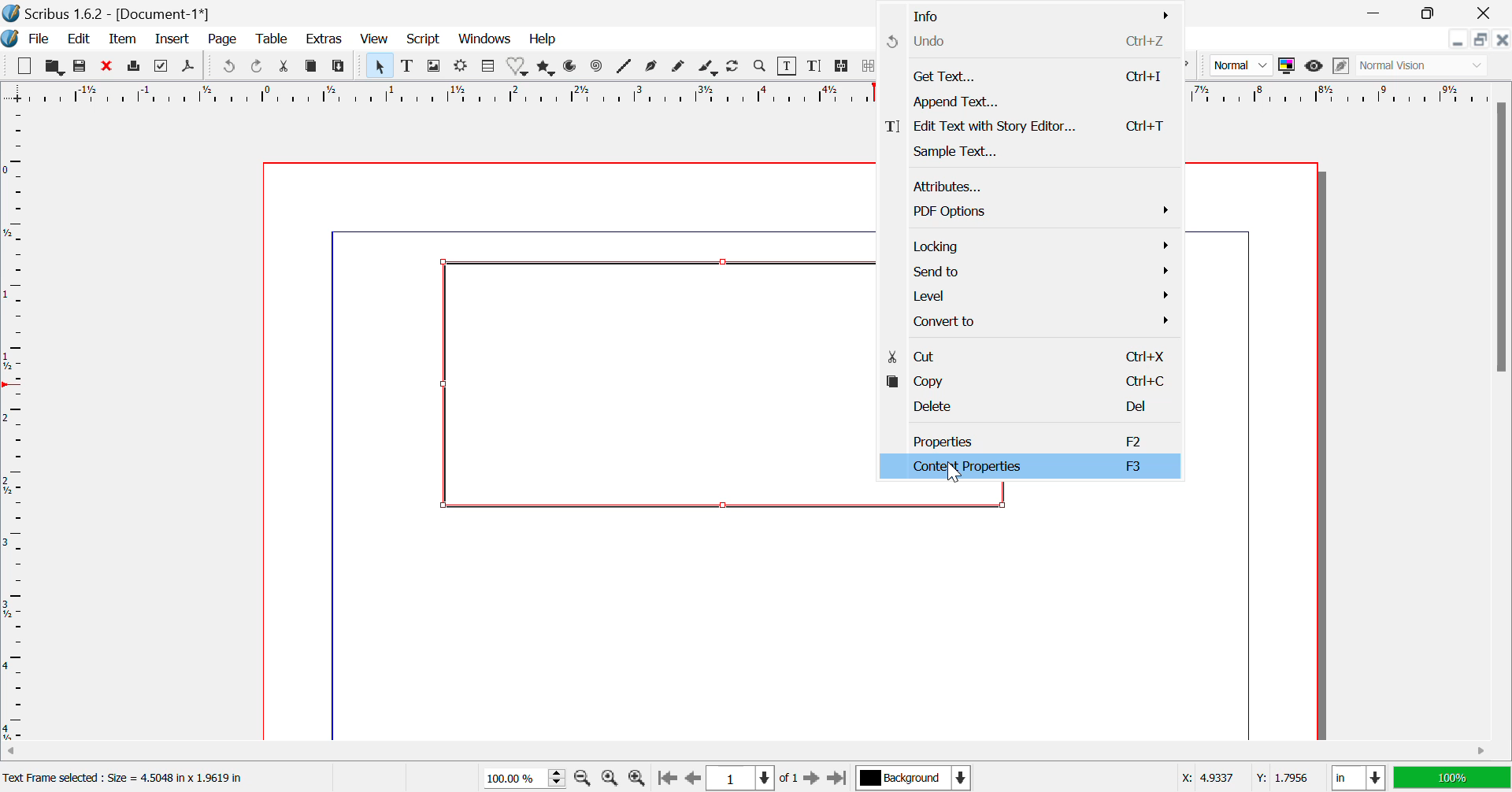  What do you see at coordinates (595, 69) in the screenshot?
I see `Spiral` at bounding box center [595, 69].